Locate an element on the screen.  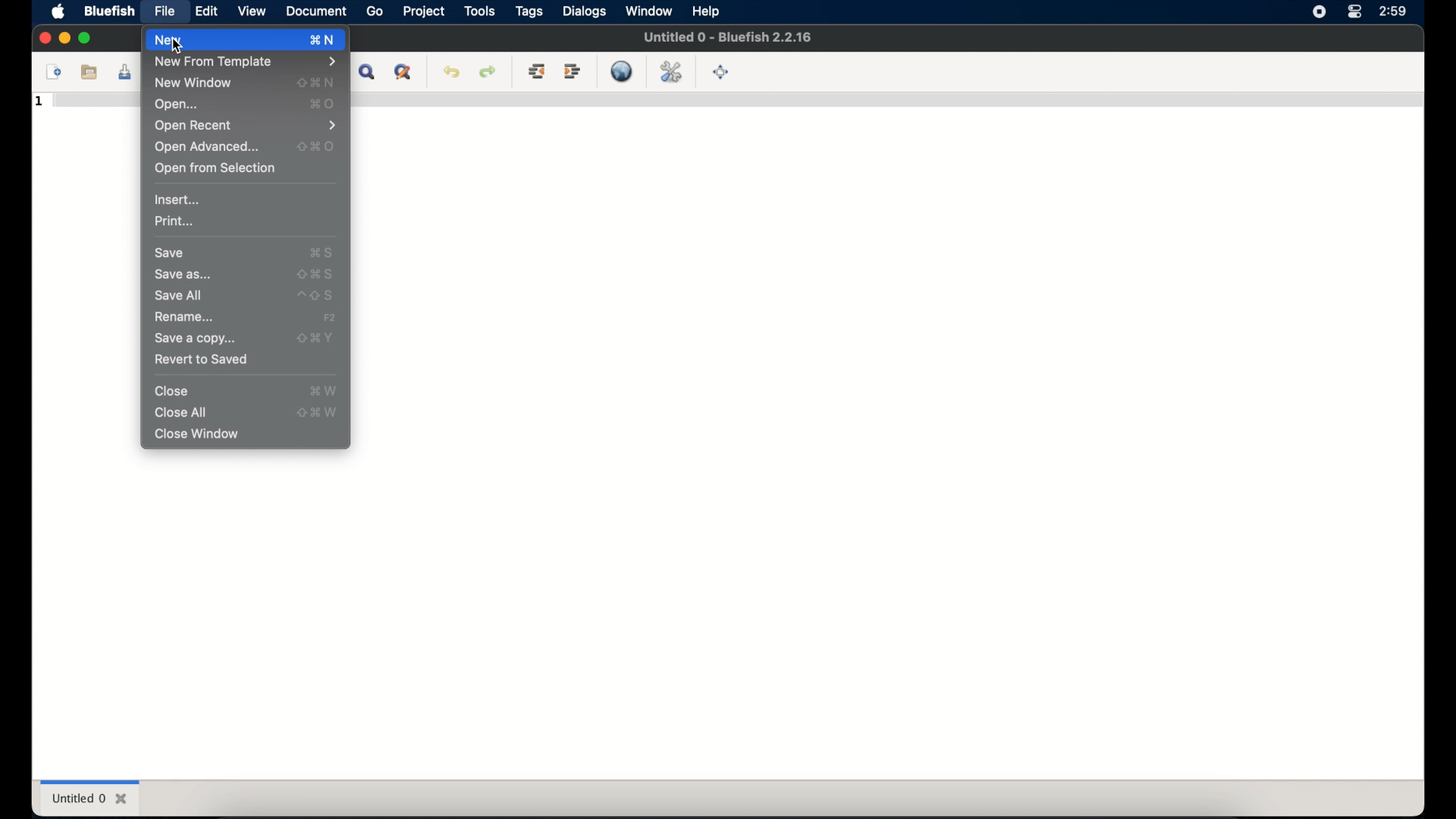
bluefish is located at coordinates (108, 11).